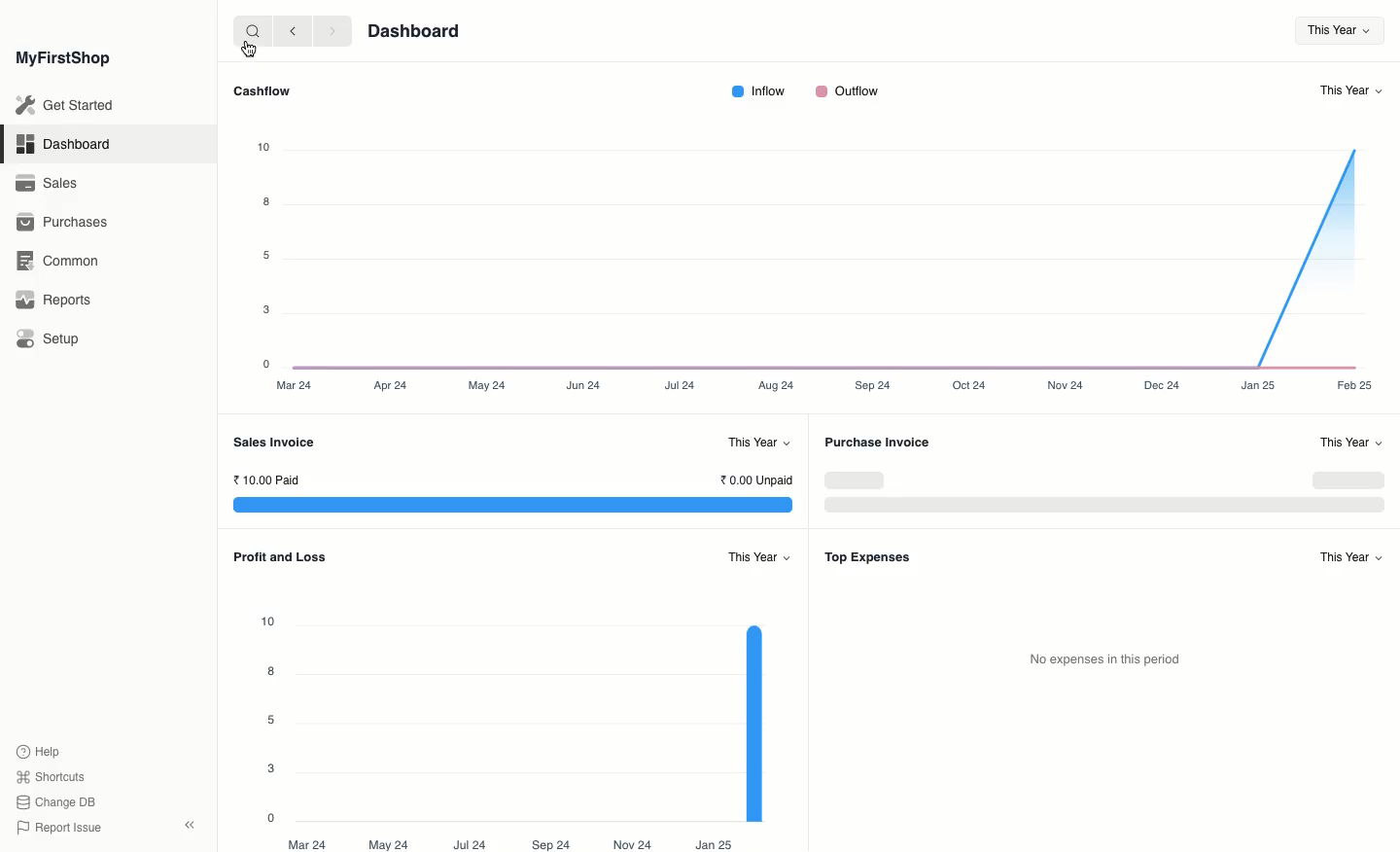 Image resolution: width=1400 pixels, height=852 pixels. Describe the element at coordinates (759, 92) in the screenshot. I see `Inflow` at that location.